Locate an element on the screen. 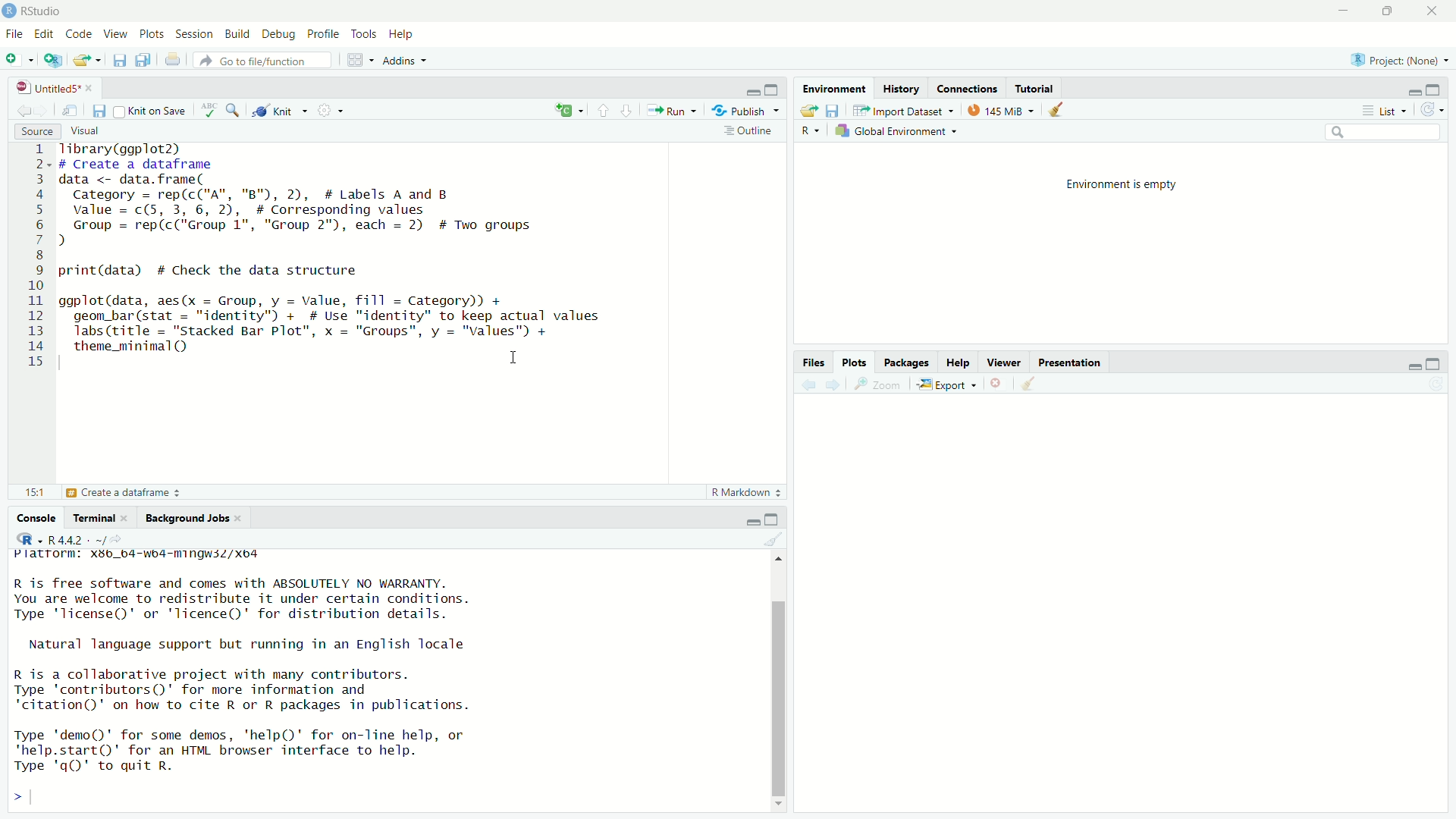 The image size is (1456, 819). Show in new window is located at coordinates (71, 109).